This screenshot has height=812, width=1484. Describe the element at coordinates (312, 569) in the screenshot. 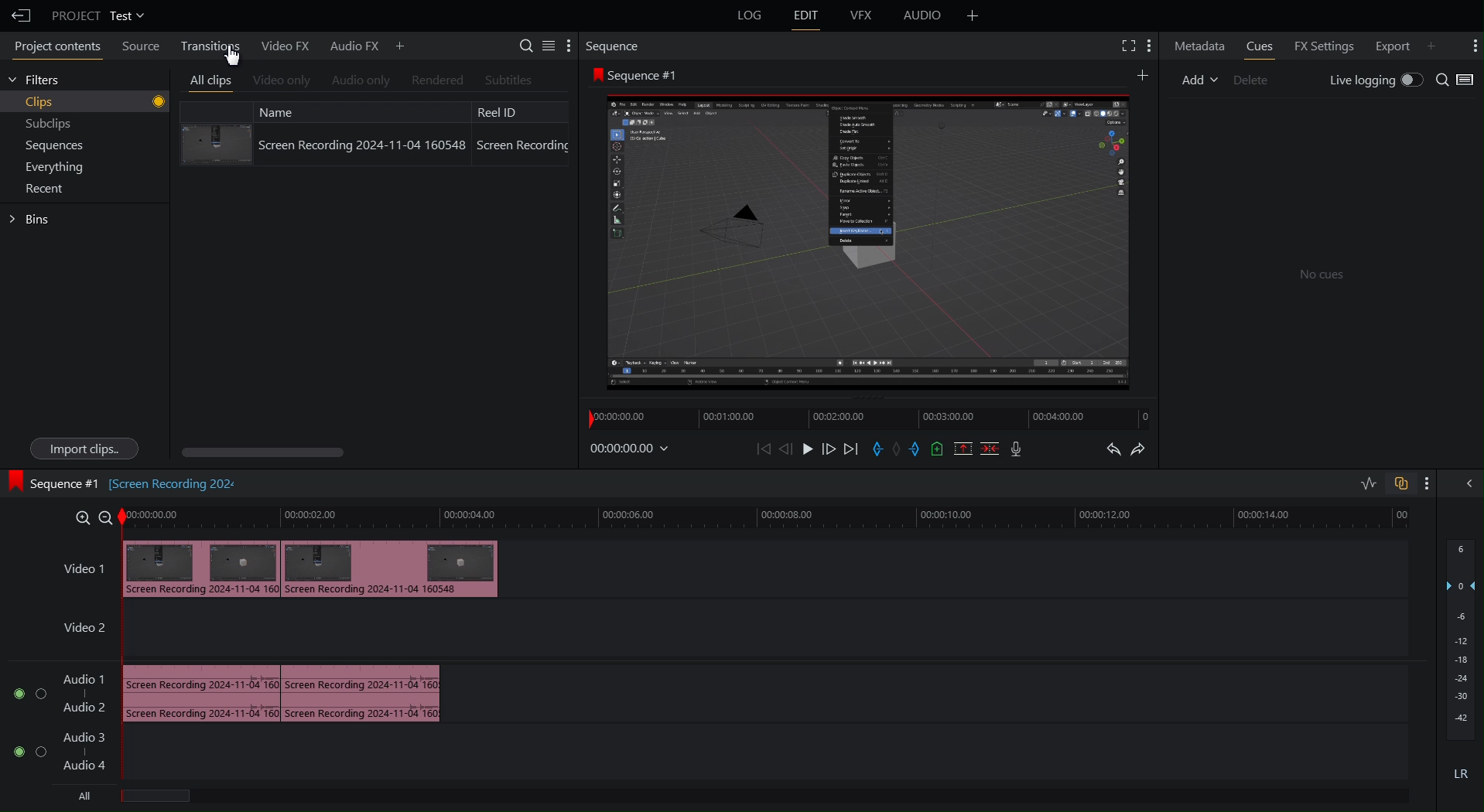

I see `video clip` at that location.